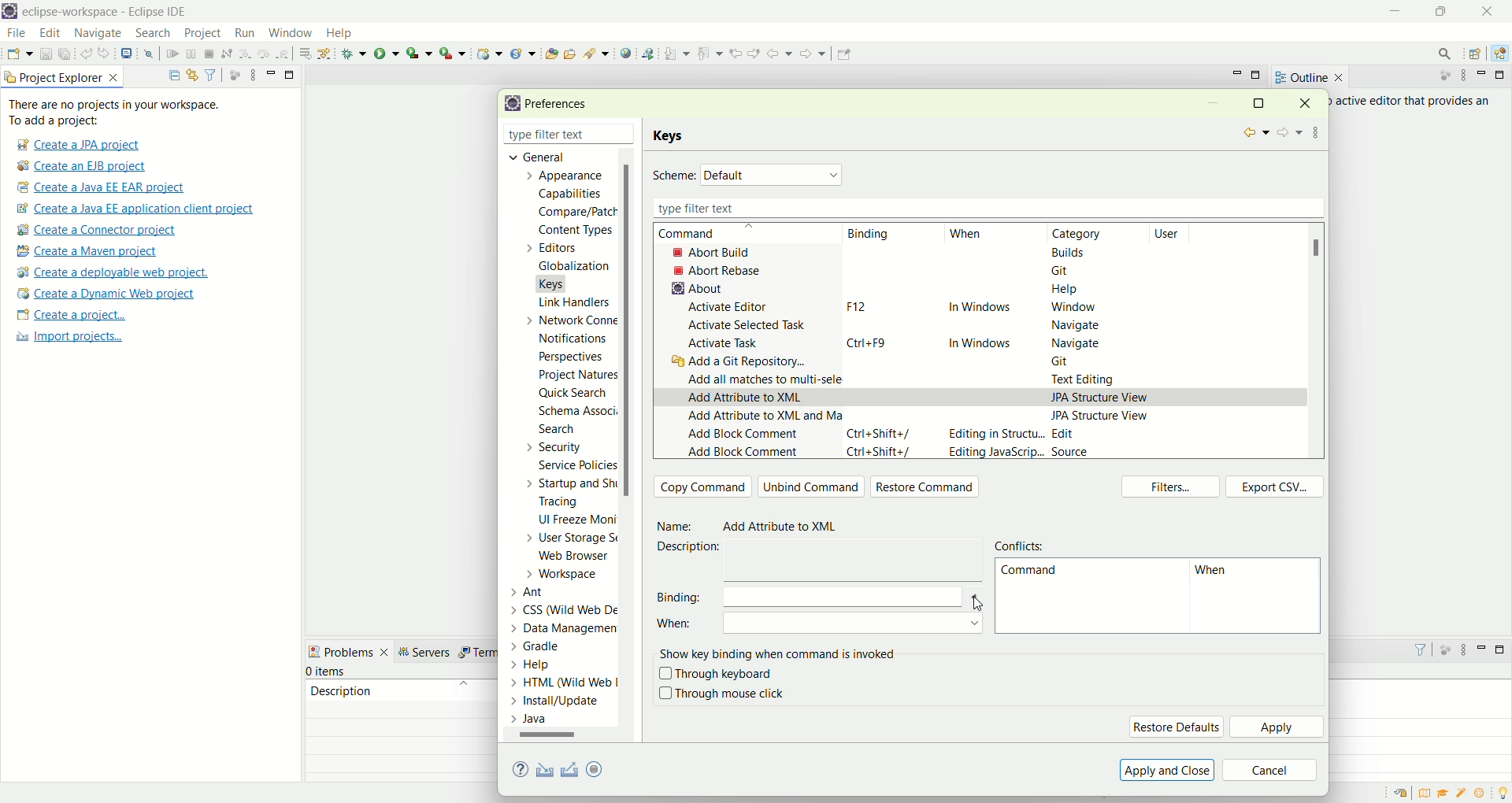  I want to click on cursor, so click(973, 601).